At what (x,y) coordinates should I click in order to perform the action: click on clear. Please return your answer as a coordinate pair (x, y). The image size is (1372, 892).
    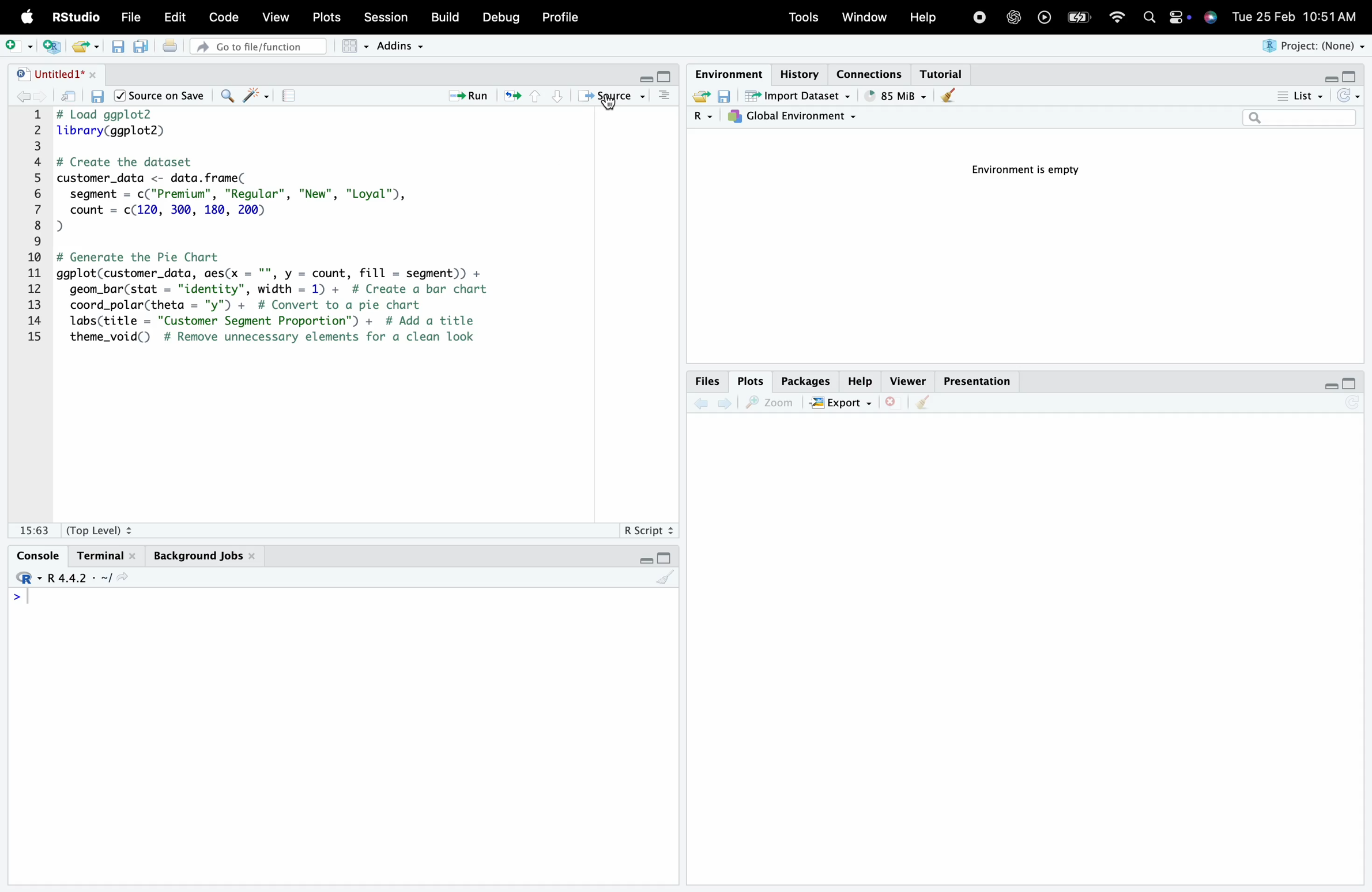
    Looking at the image, I should click on (666, 581).